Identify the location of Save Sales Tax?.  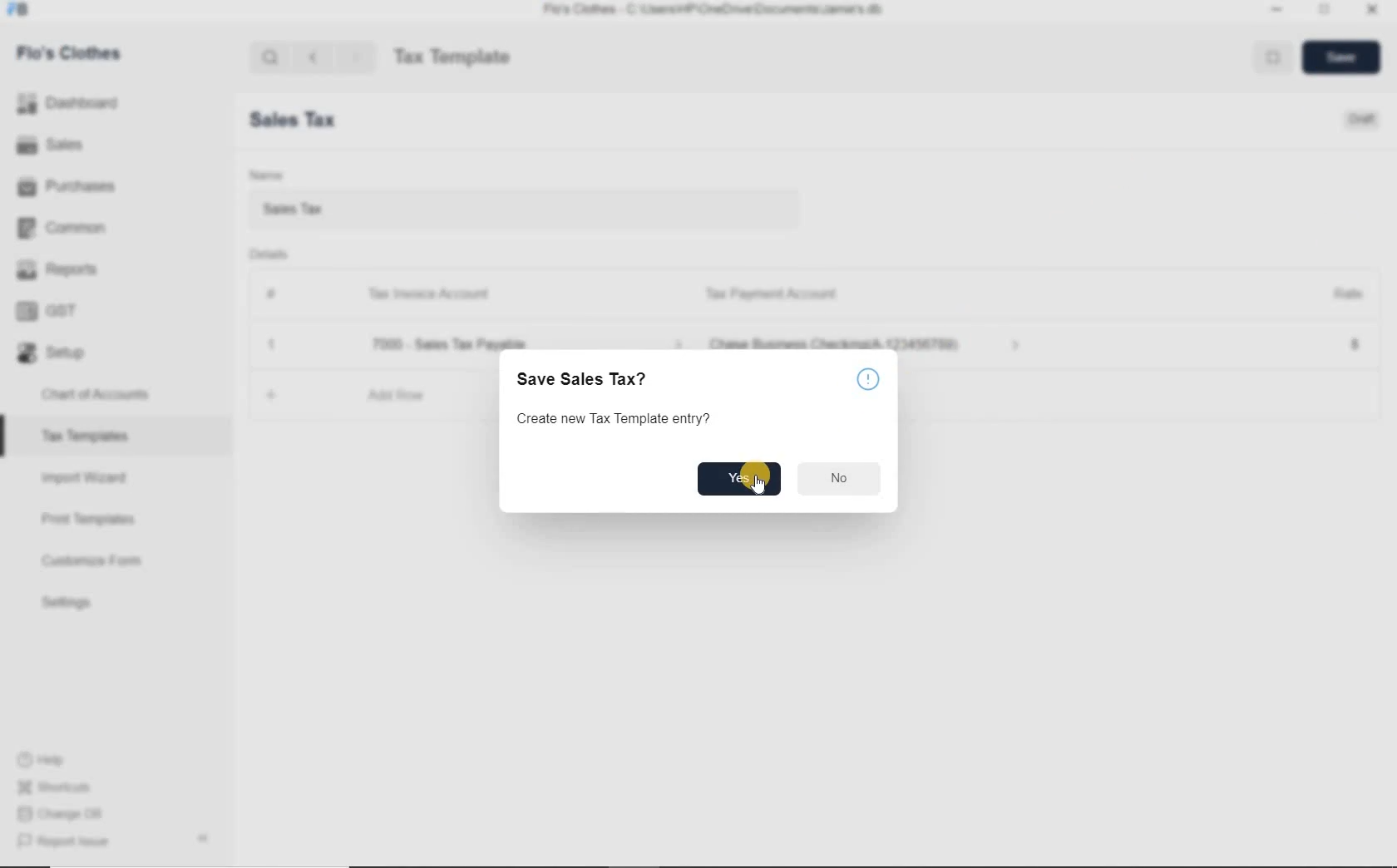
(584, 379).